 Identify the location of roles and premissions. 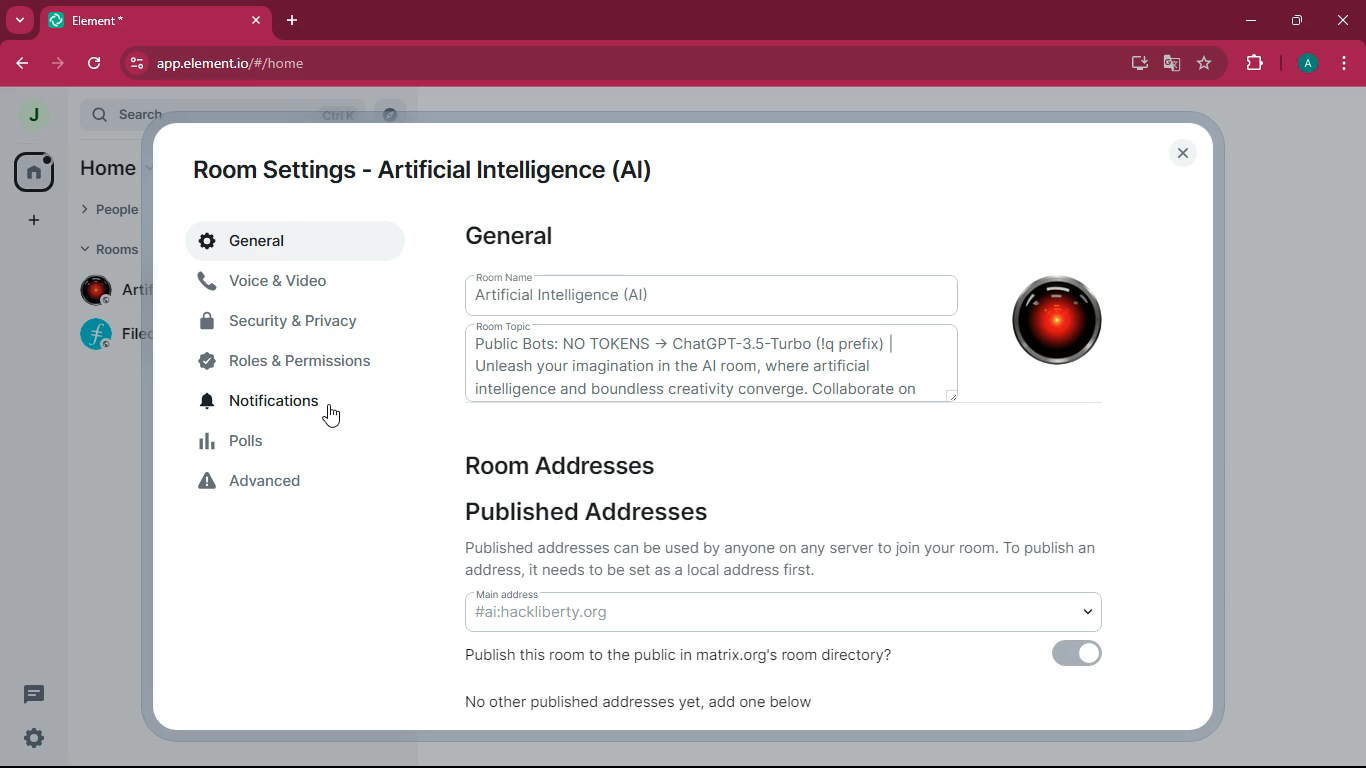
(295, 361).